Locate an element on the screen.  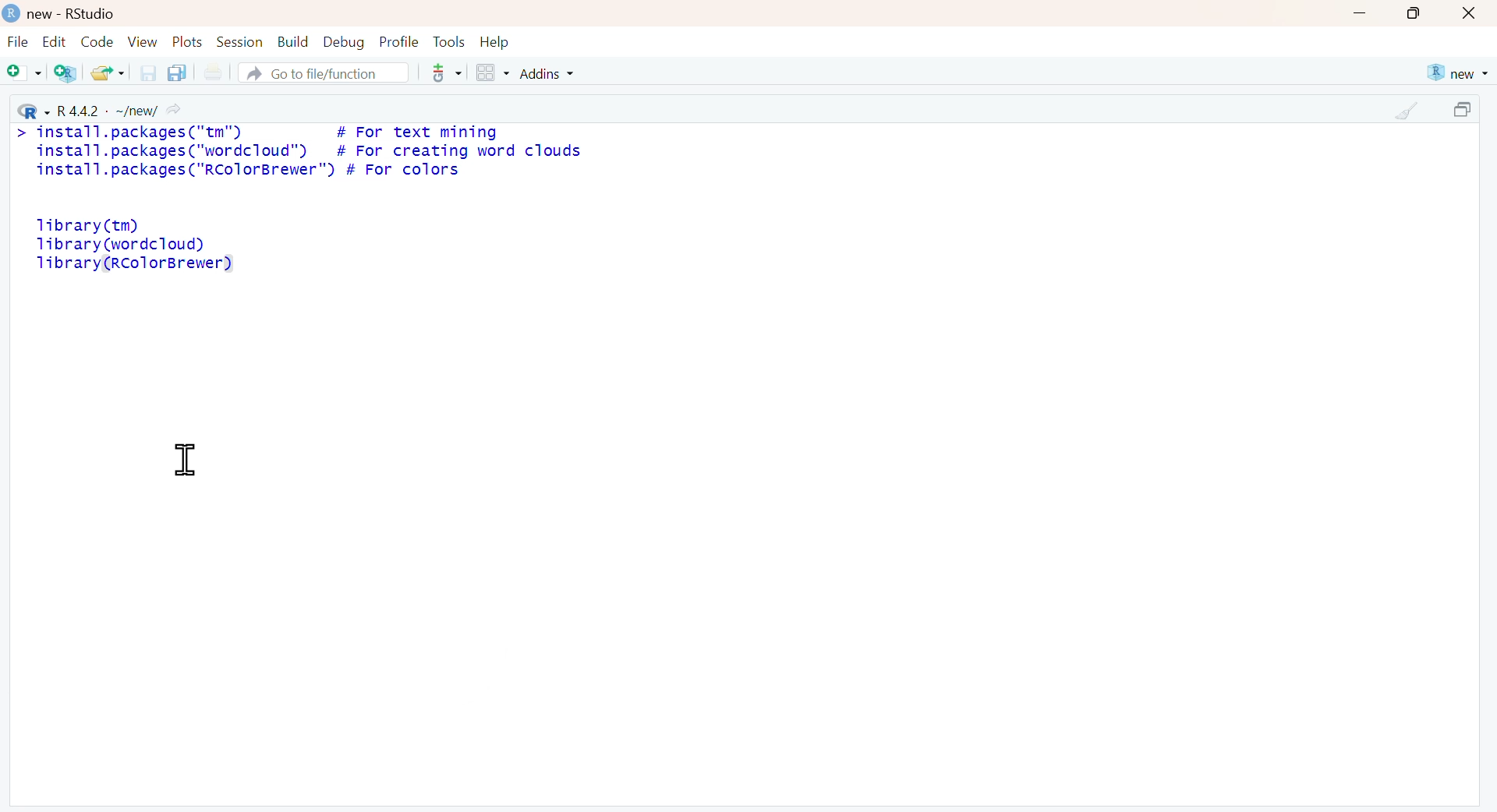
cursor is located at coordinates (185, 461).